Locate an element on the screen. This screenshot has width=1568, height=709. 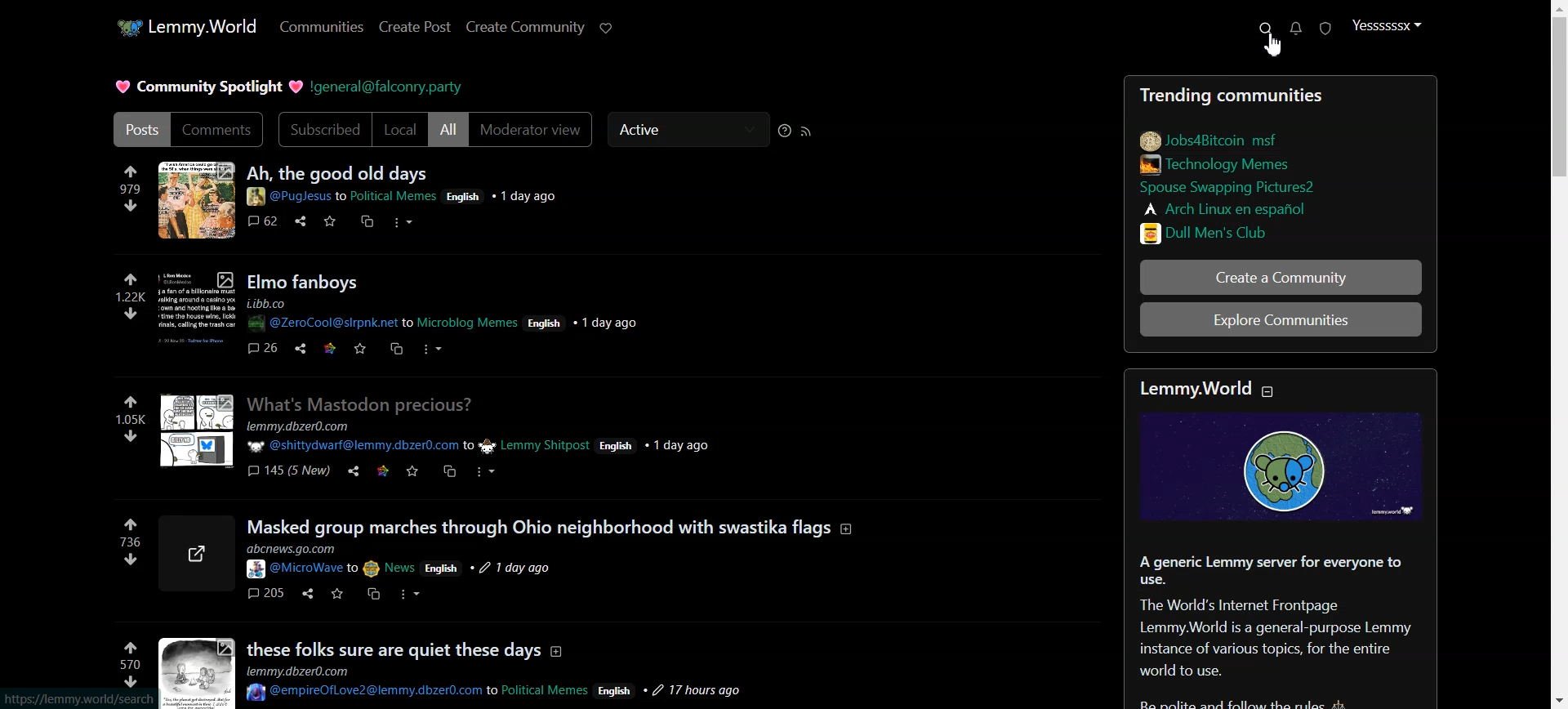
cursor is located at coordinates (1272, 47).